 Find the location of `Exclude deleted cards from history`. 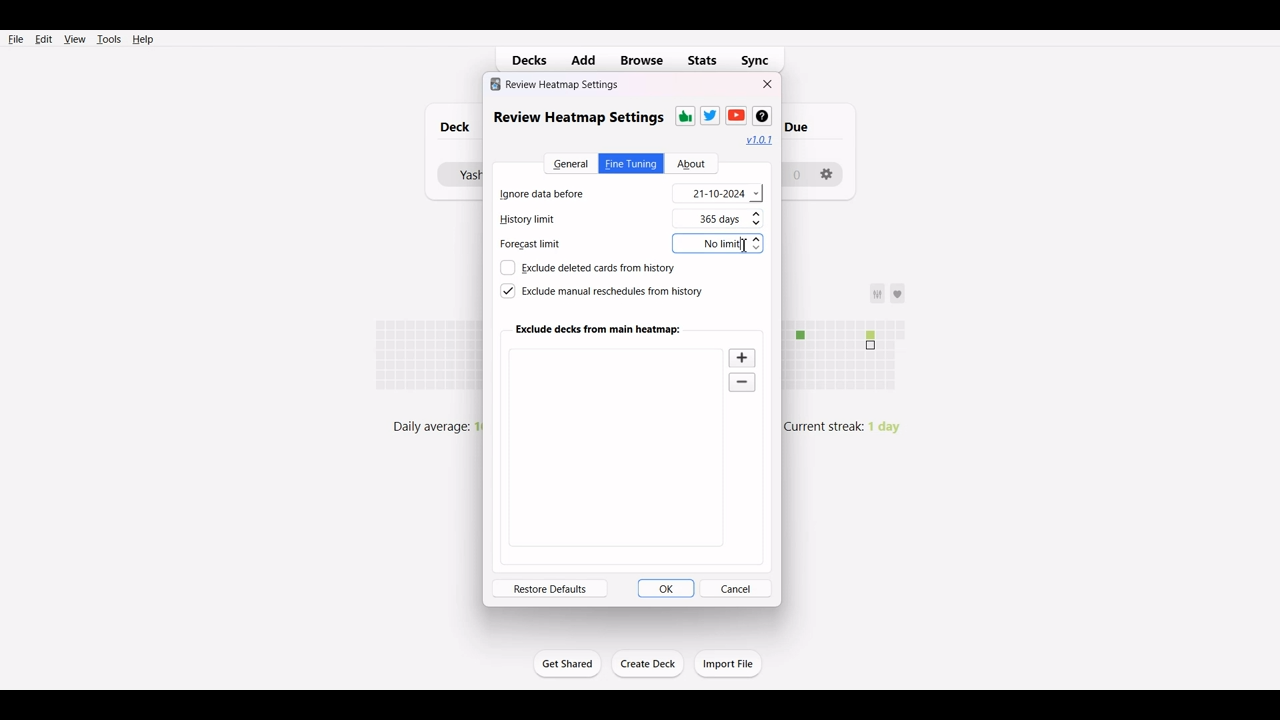

Exclude deleted cards from history is located at coordinates (587, 268).